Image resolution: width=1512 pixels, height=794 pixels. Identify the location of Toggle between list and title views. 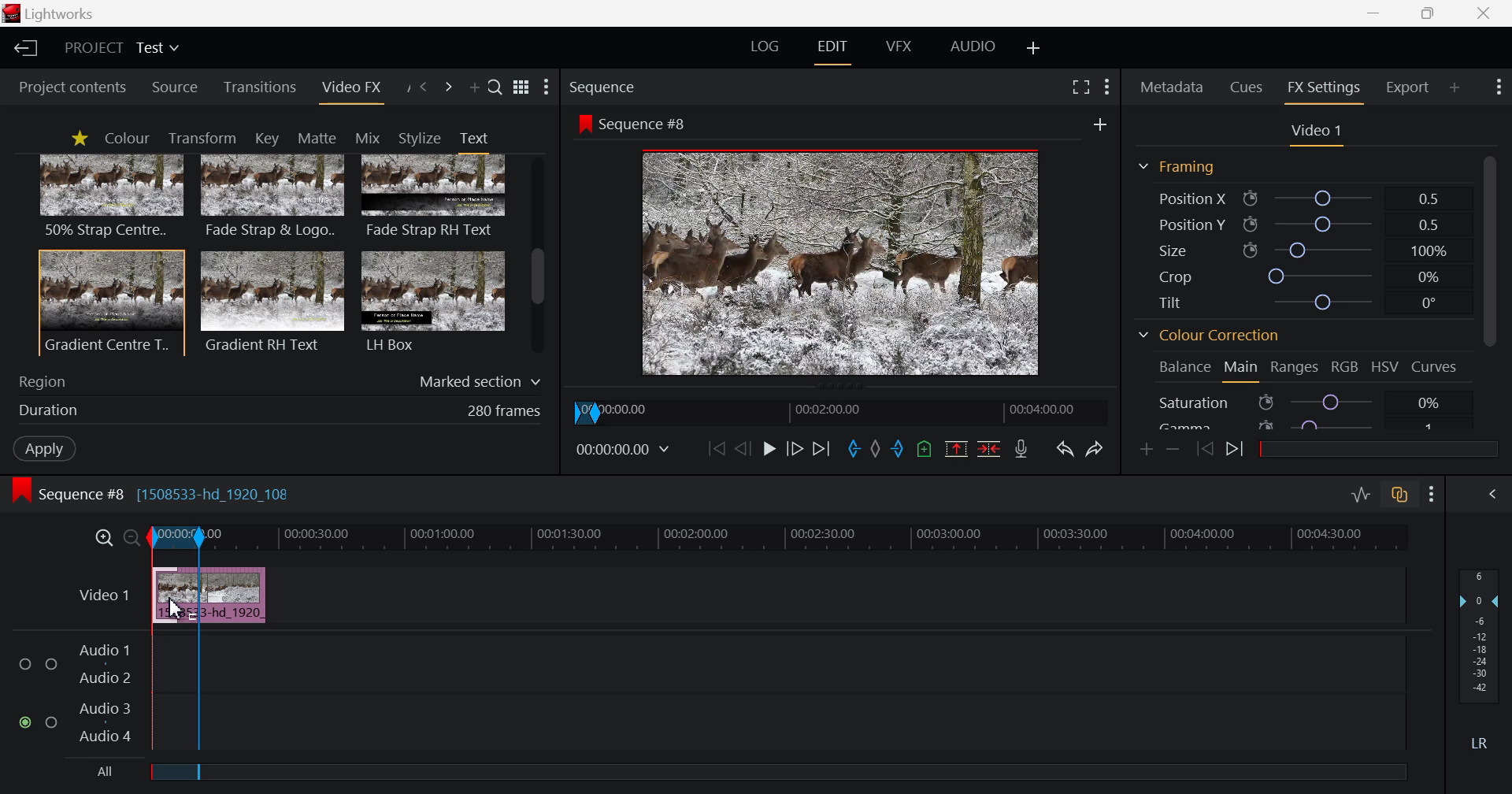
(523, 87).